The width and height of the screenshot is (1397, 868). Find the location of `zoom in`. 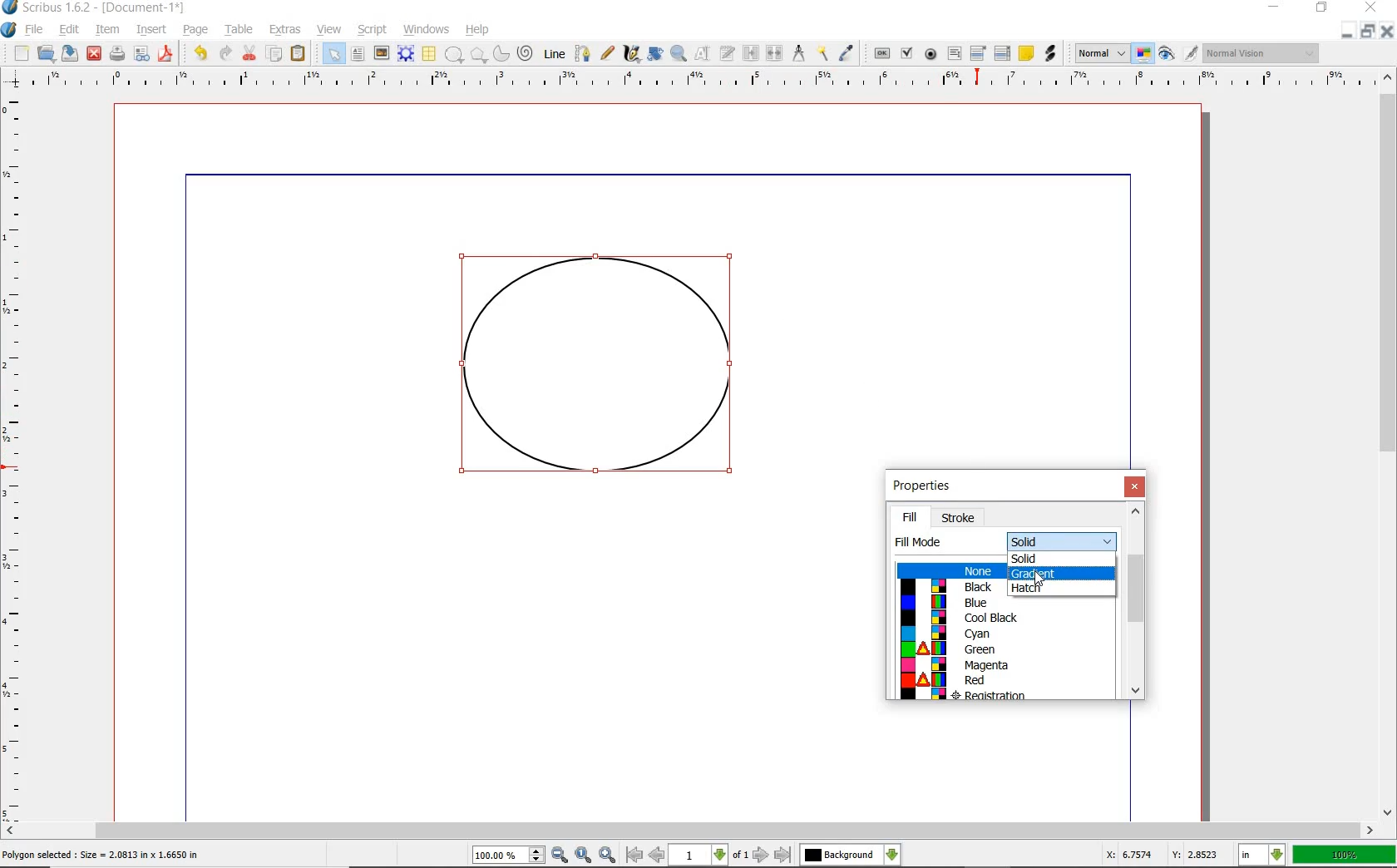

zoom in is located at coordinates (560, 856).